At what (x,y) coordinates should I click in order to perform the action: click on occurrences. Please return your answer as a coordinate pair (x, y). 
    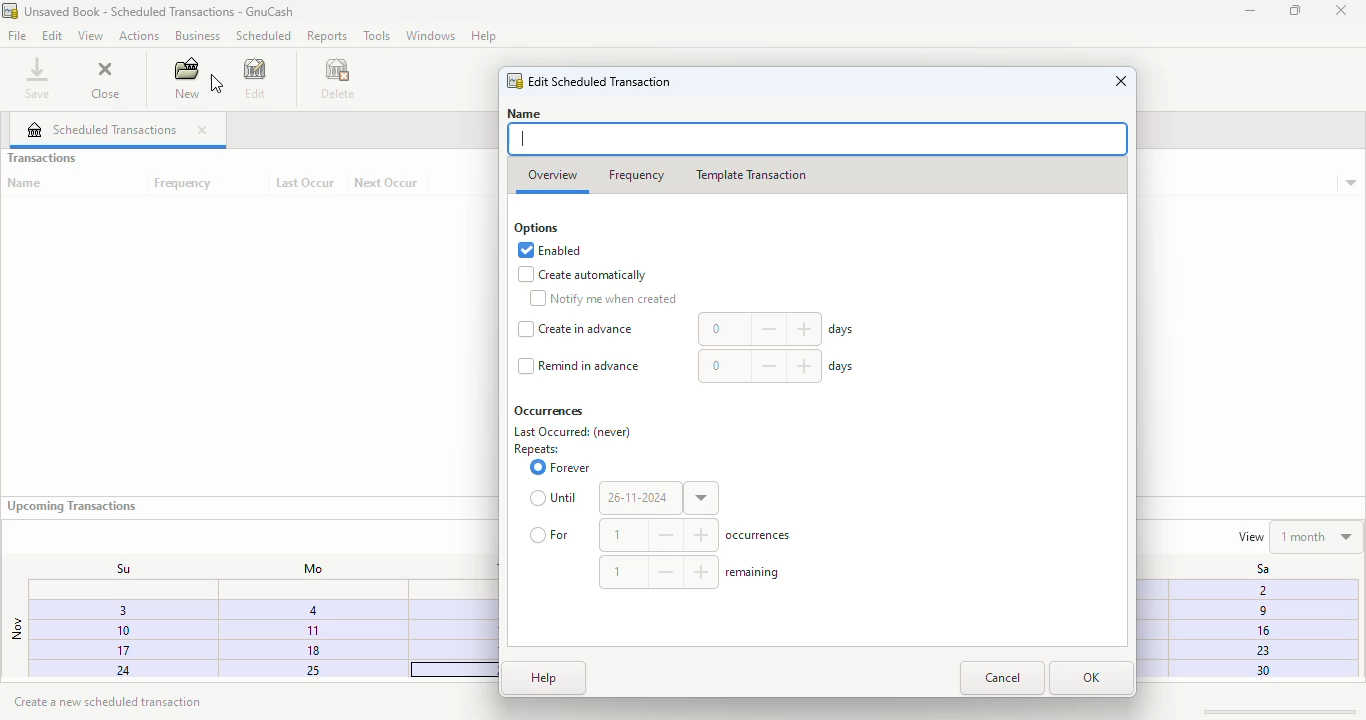
    Looking at the image, I should click on (549, 411).